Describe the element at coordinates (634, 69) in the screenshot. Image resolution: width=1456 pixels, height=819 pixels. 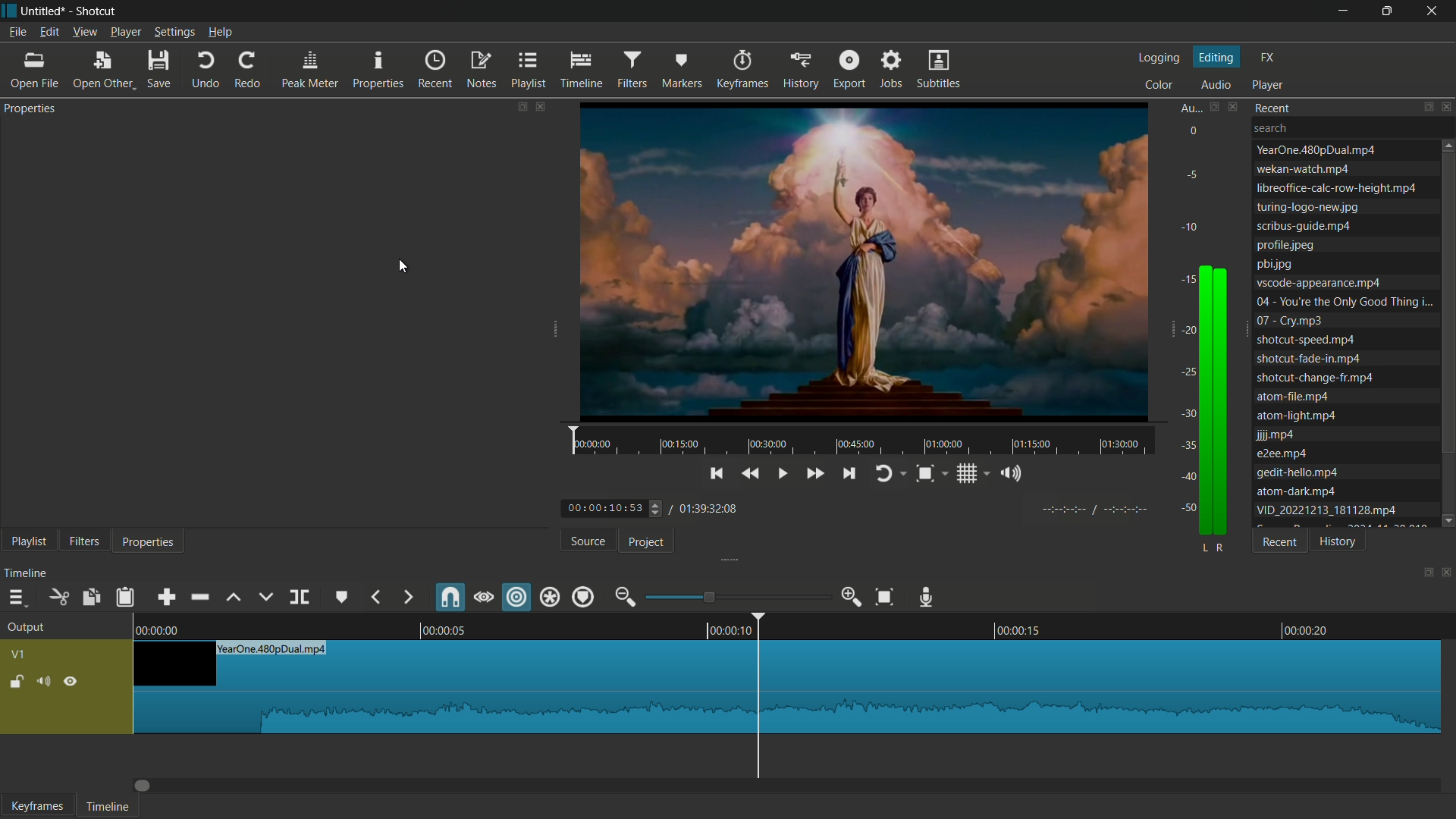
I see `filters` at that location.